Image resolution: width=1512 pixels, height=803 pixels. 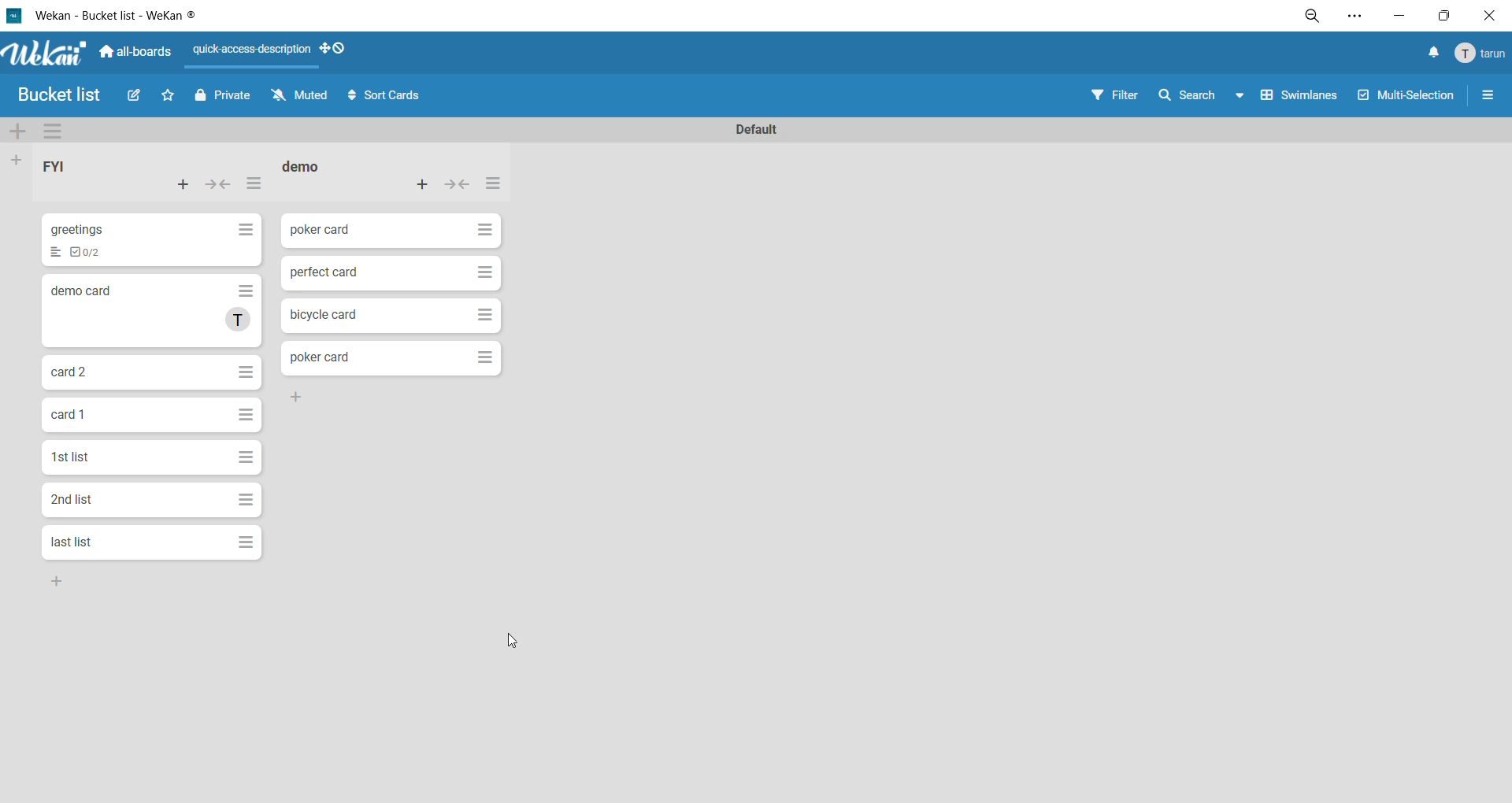 I want to click on greetings, so click(x=78, y=228).